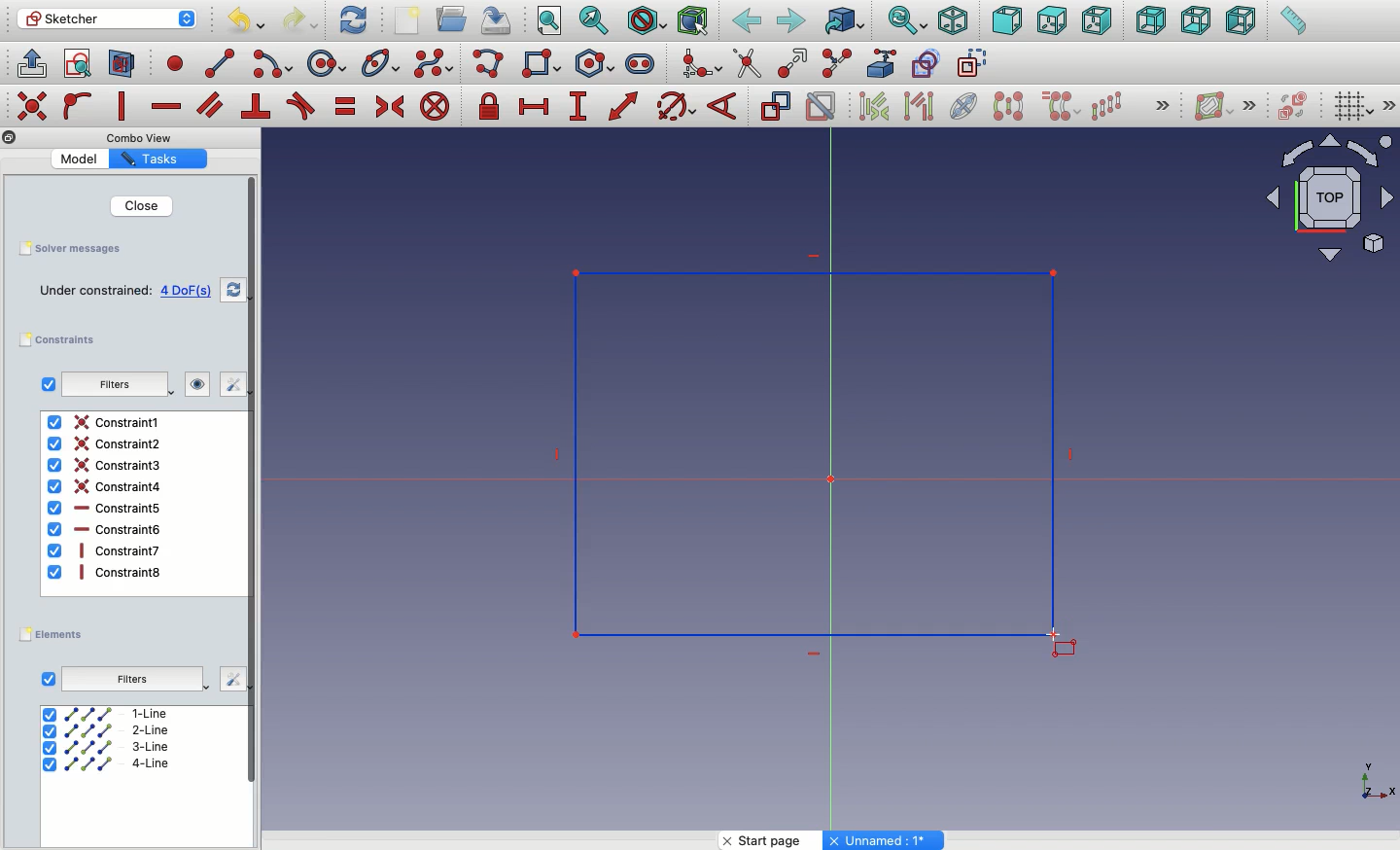  Describe the element at coordinates (1108, 106) in the screenshot. I see `Rectangular array` at that location.